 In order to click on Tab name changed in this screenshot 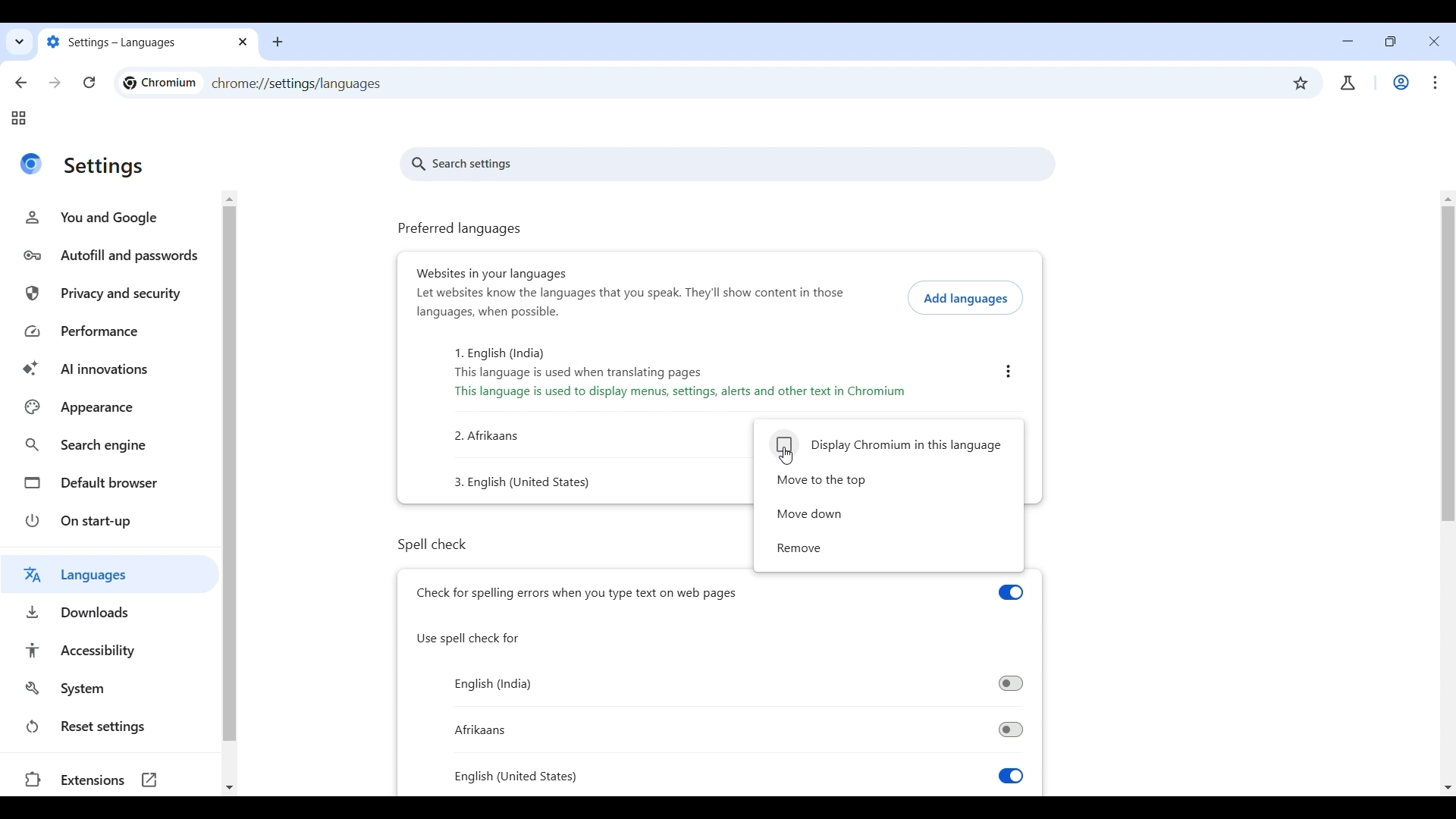, I will do `click(130, 42)`.